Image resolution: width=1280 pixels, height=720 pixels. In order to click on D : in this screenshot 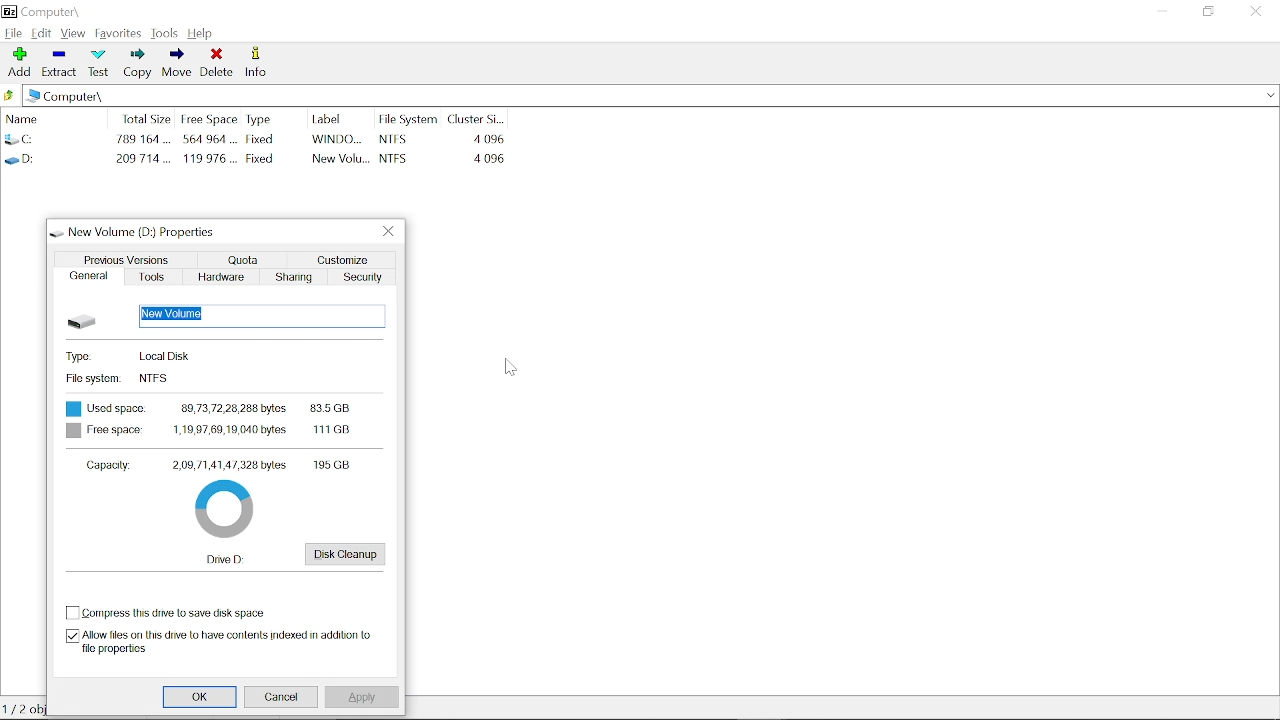, I will do `click(55, 159)`.